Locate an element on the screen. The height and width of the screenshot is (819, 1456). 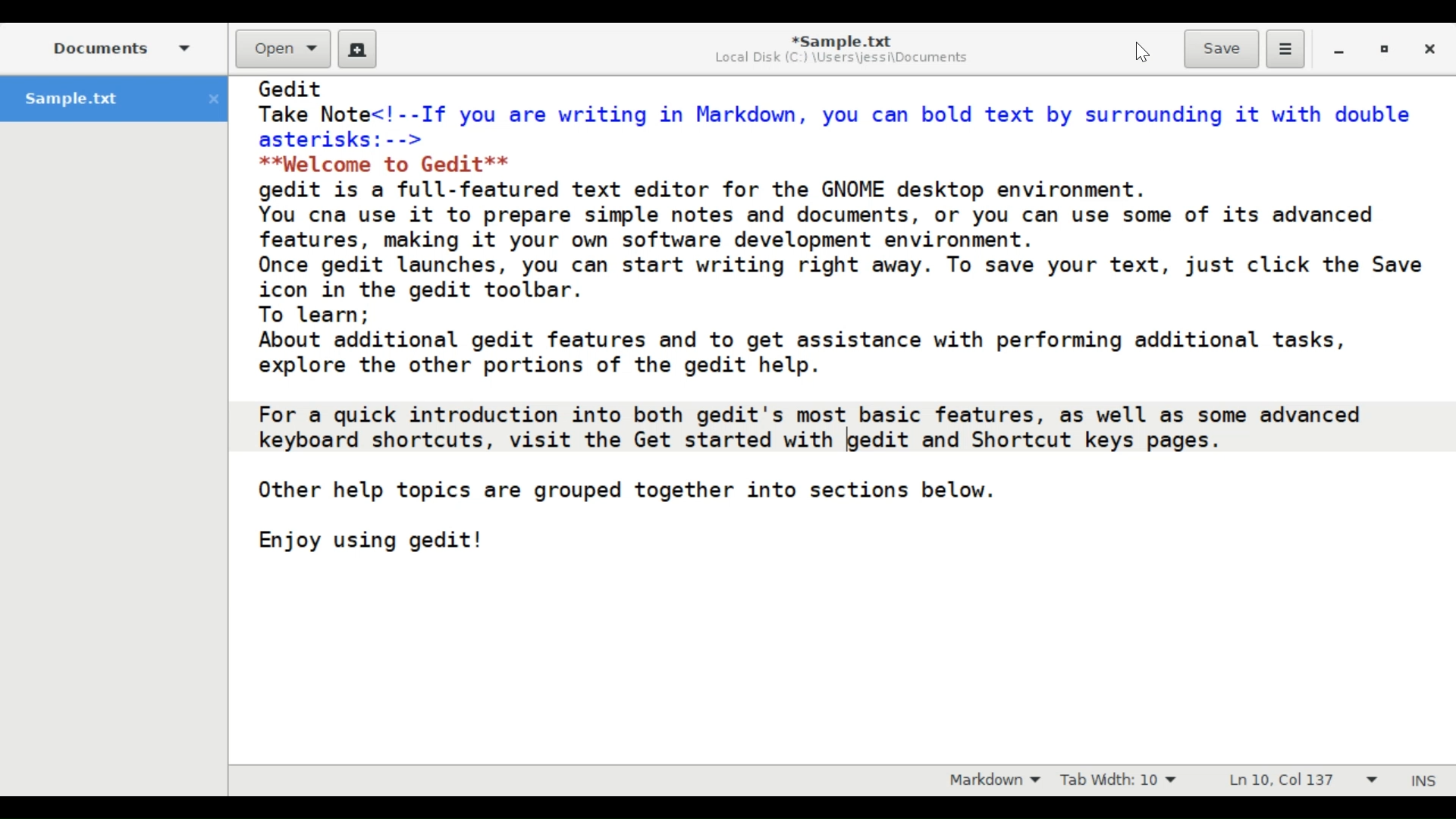
Save is located at coordinates (1223, 48).